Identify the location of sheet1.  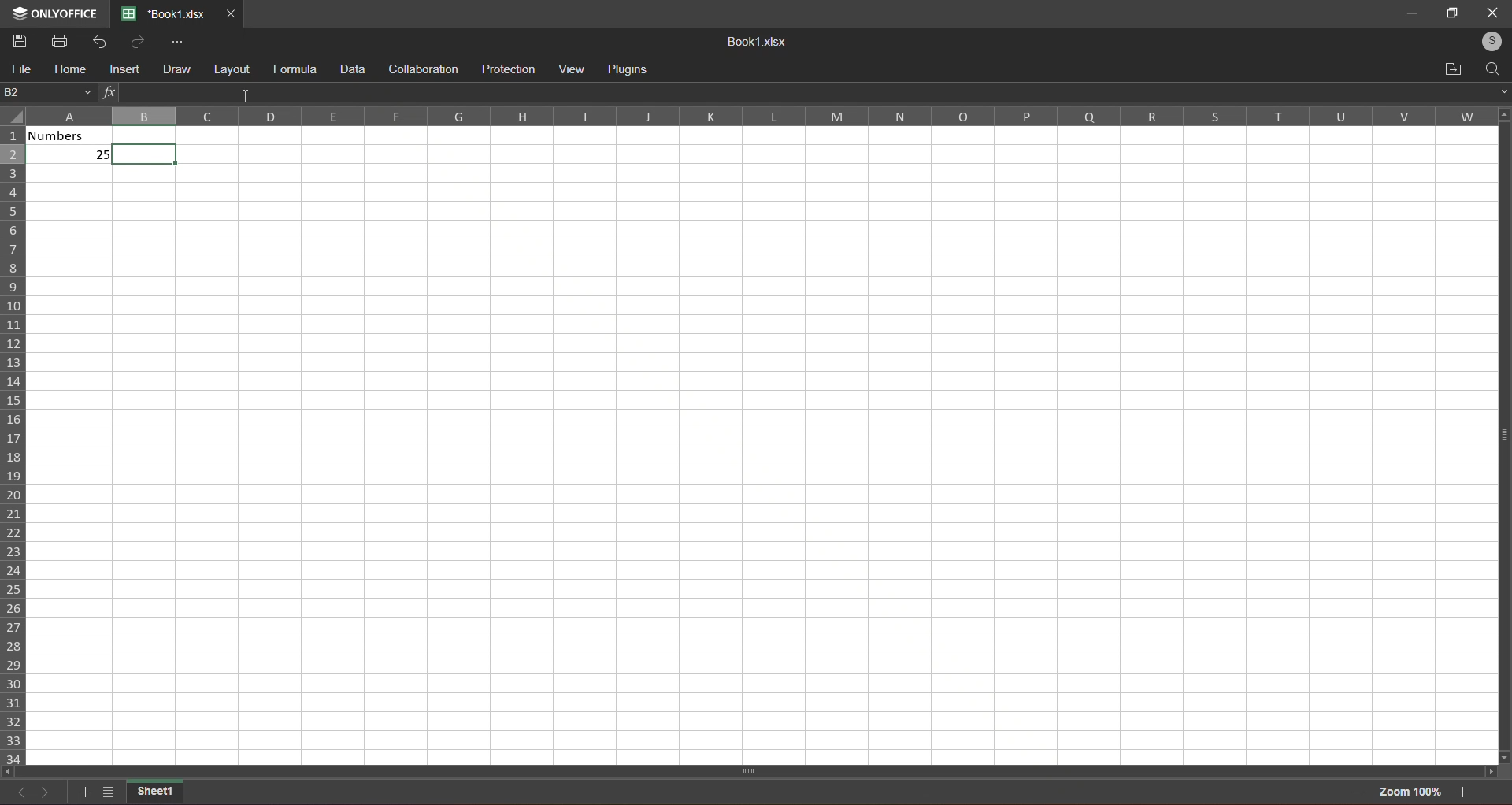
(157, 793).